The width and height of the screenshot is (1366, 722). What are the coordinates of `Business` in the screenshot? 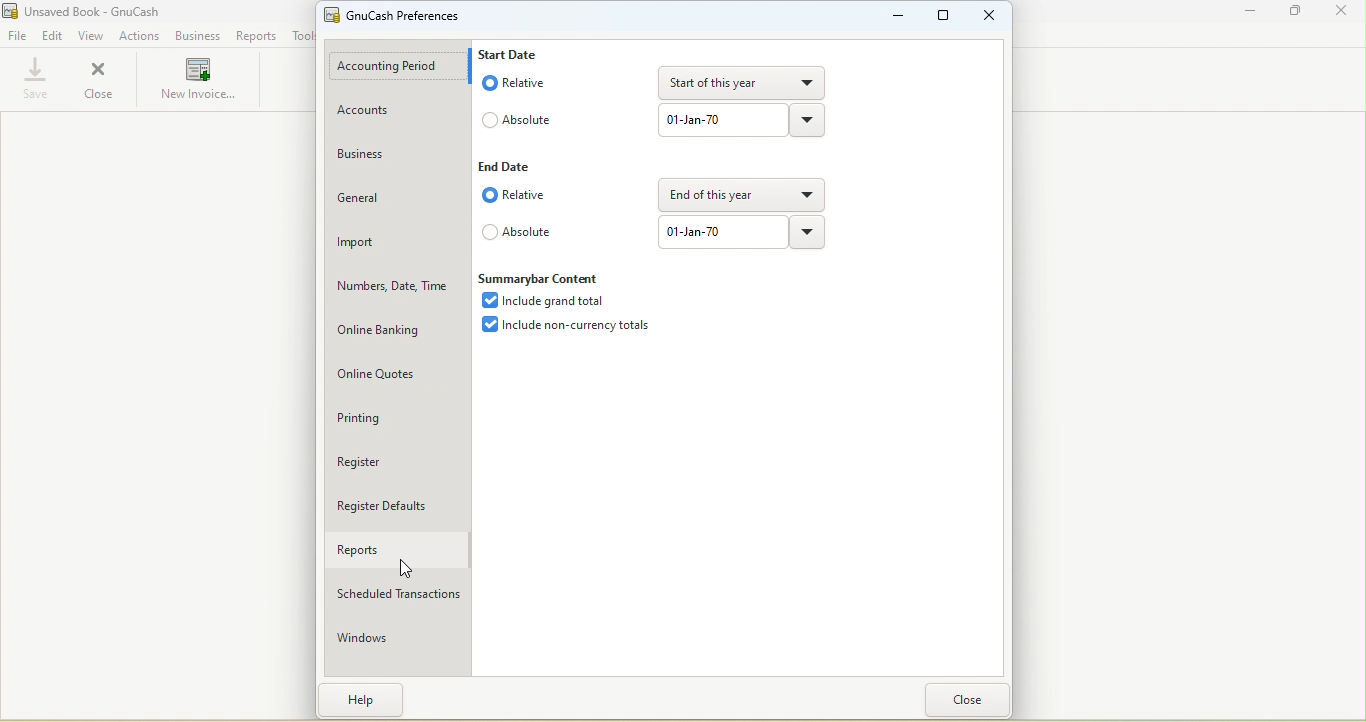 It's located at (395, 156).